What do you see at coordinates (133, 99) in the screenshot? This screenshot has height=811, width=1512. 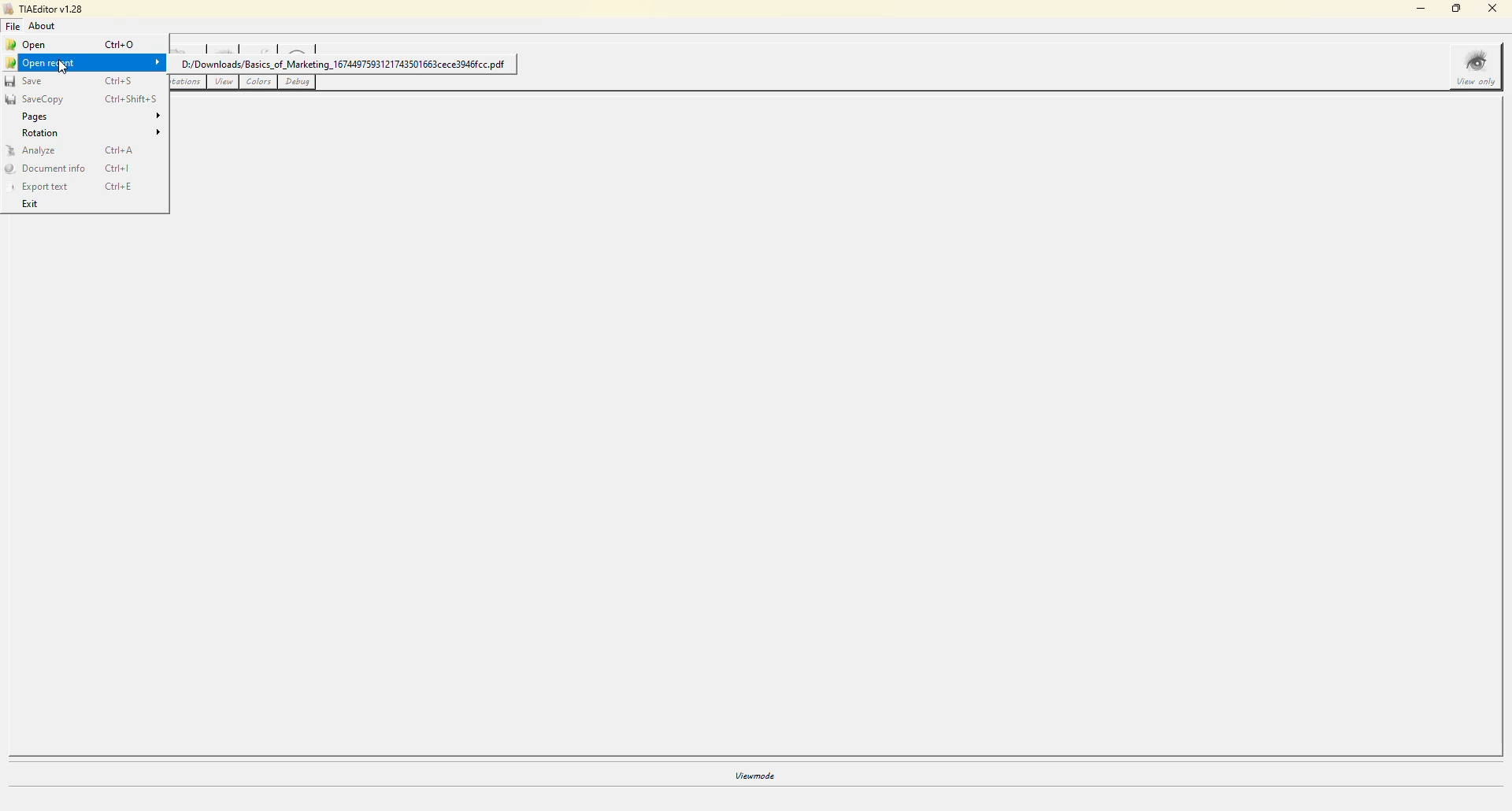 I see `ctrl+shift+s` at bounding box center [133, 99].